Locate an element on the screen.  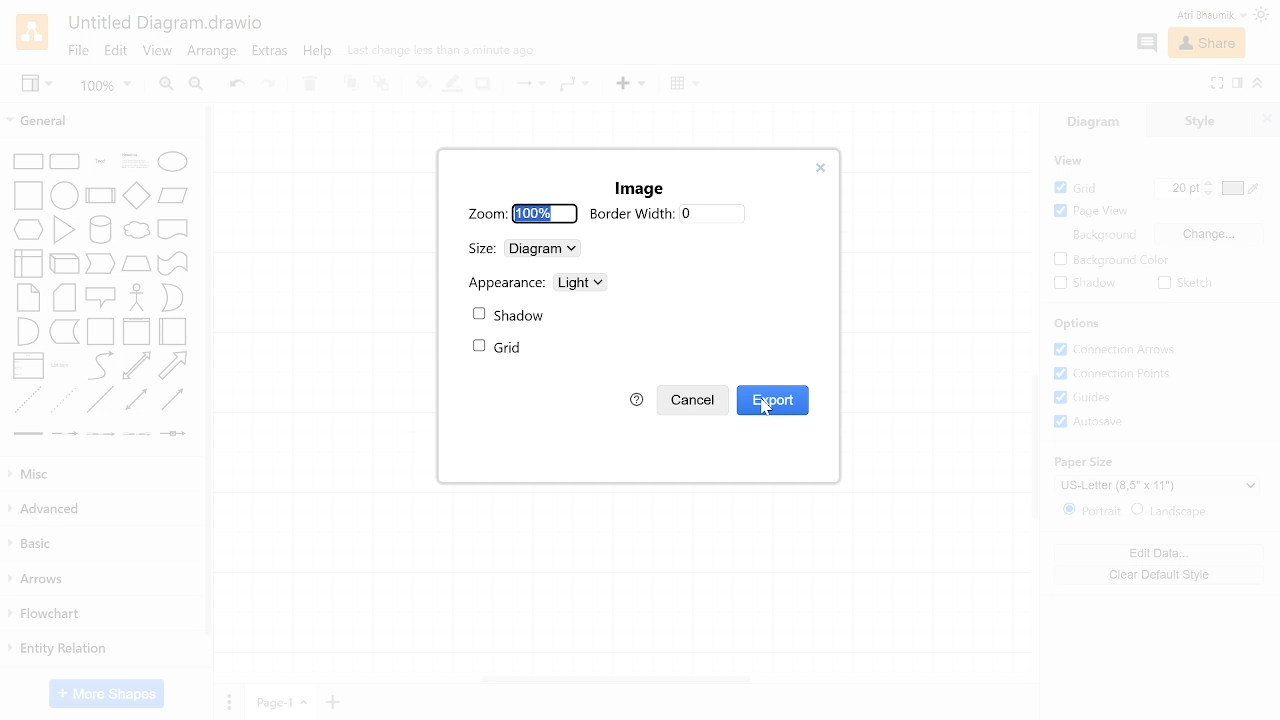
Fullscreen is located at coordinates (1216, 83).